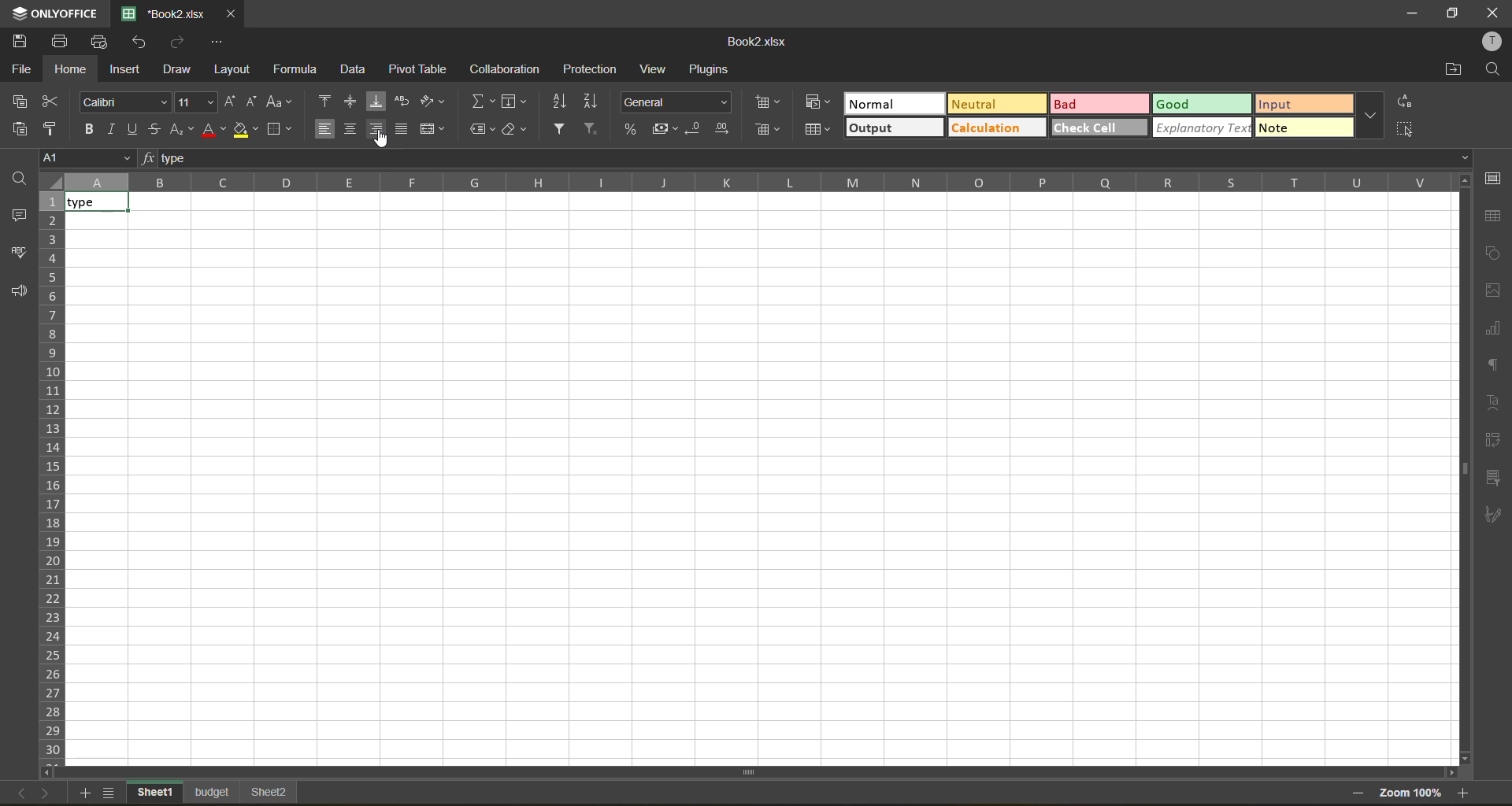 Image resolution: width=1512 pixels, height=806 pixels. I want to click on sheet names, so click(213, 794).